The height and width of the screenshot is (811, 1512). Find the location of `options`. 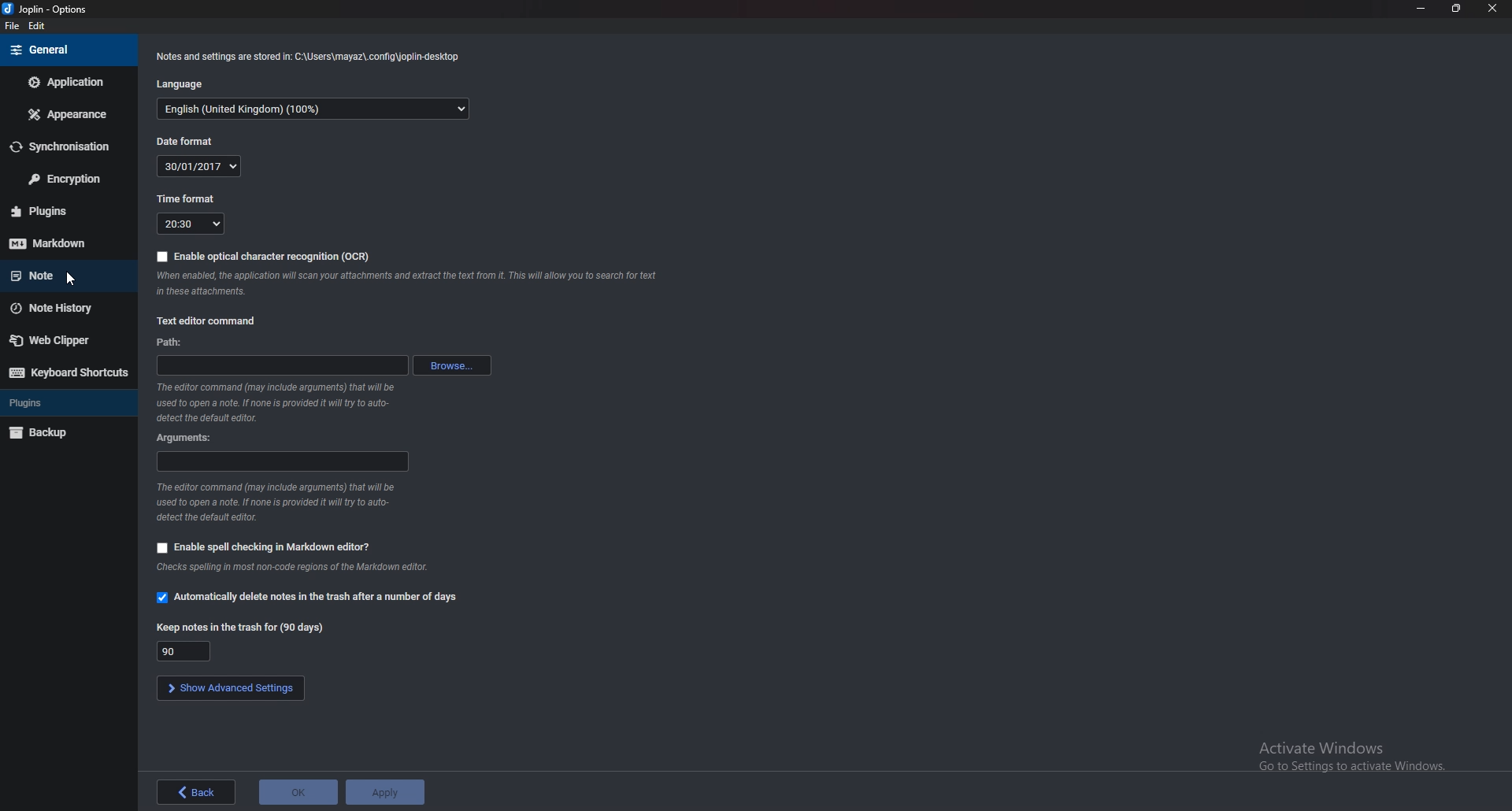

options is located at coordinates (53, 9).